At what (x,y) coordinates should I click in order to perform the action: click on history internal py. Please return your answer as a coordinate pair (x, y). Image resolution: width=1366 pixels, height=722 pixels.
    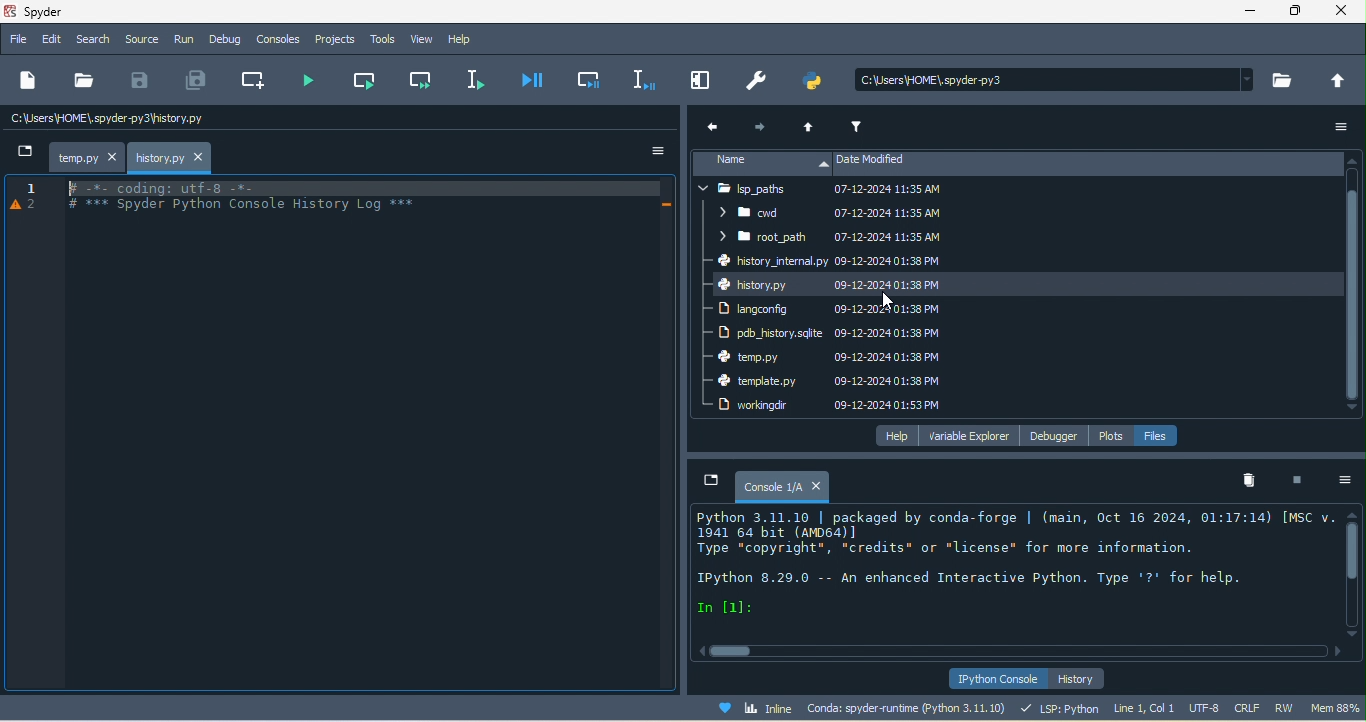
    Looking at the image, I should click on (765, 261).